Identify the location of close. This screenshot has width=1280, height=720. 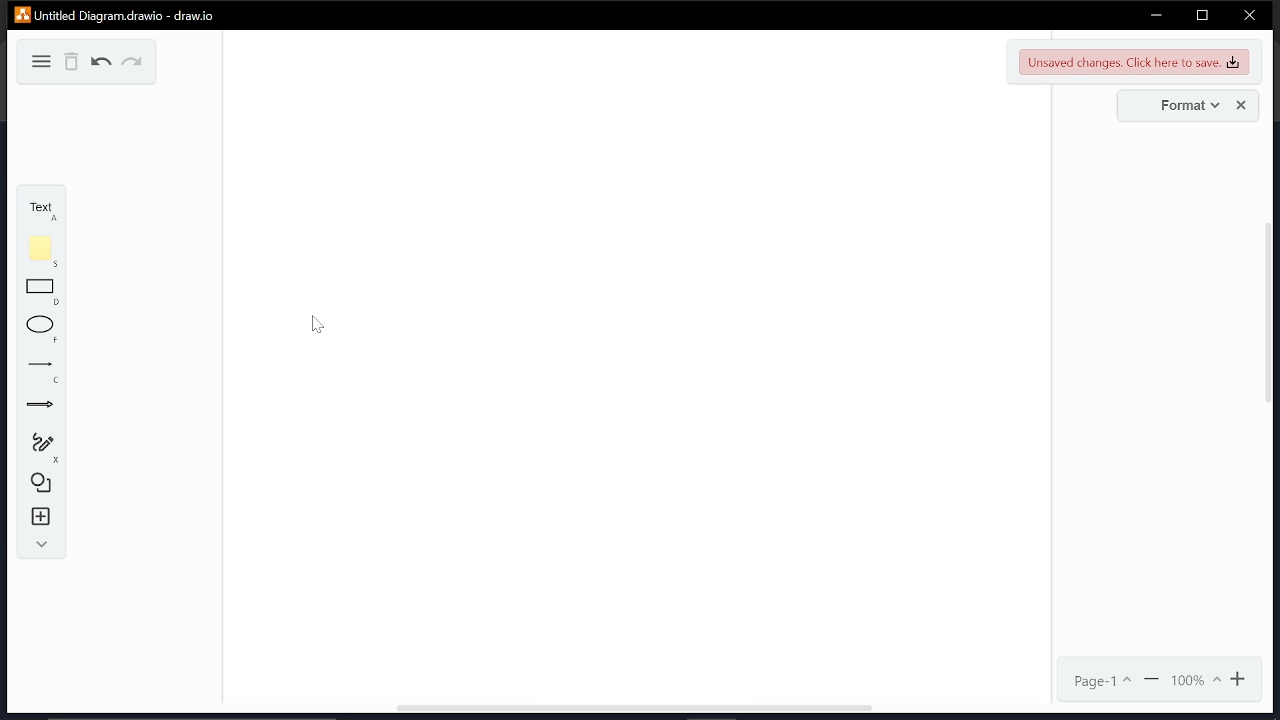
(1242, 106).